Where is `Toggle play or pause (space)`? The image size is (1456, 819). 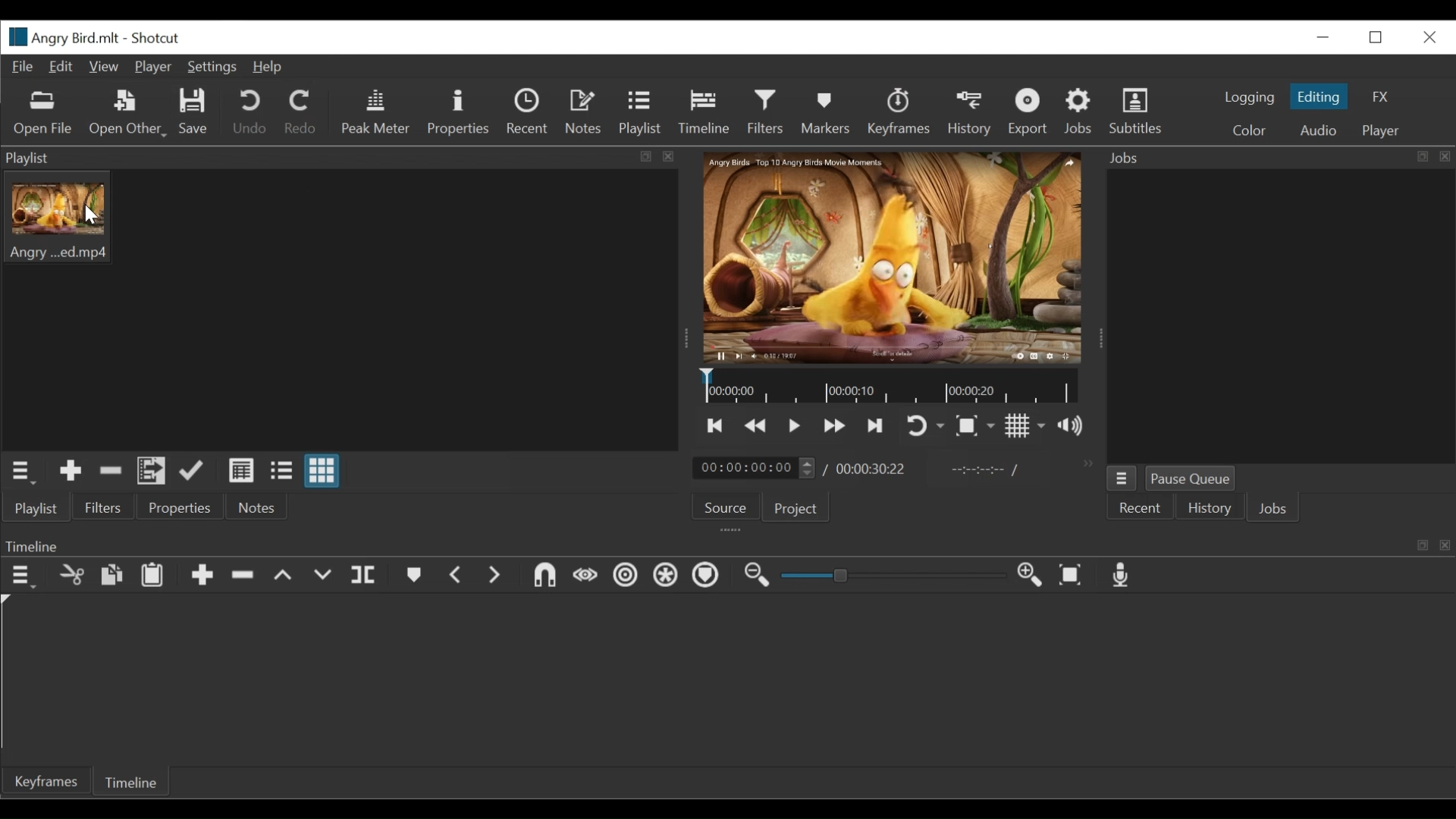 Toggle play or pause (space) is located at coordinates (793, 425).